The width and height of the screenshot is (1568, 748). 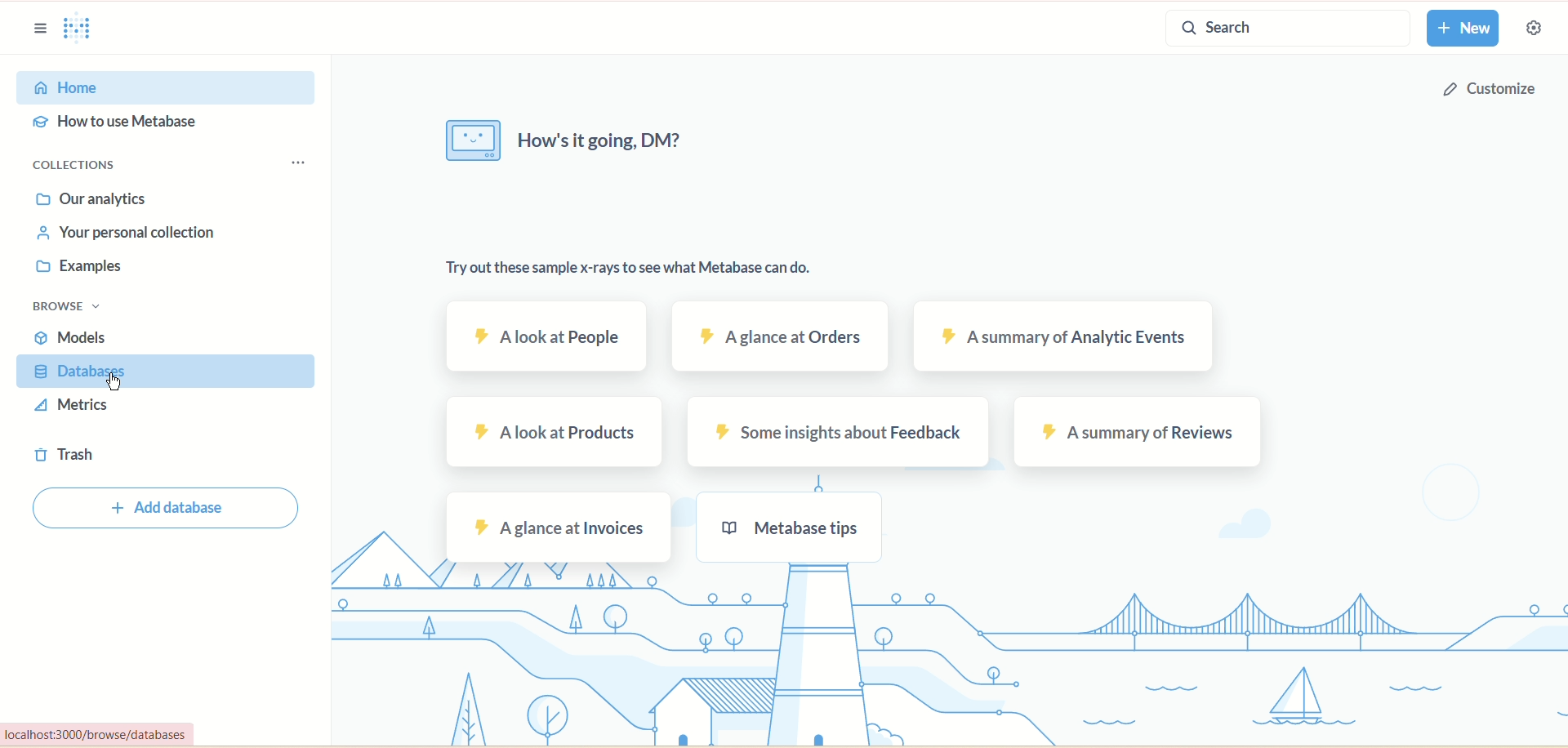 What do you see at coordinates (1065, 337) in the screenshot?
I see `a summary of analytic events` at bounding box center [1065, 337].